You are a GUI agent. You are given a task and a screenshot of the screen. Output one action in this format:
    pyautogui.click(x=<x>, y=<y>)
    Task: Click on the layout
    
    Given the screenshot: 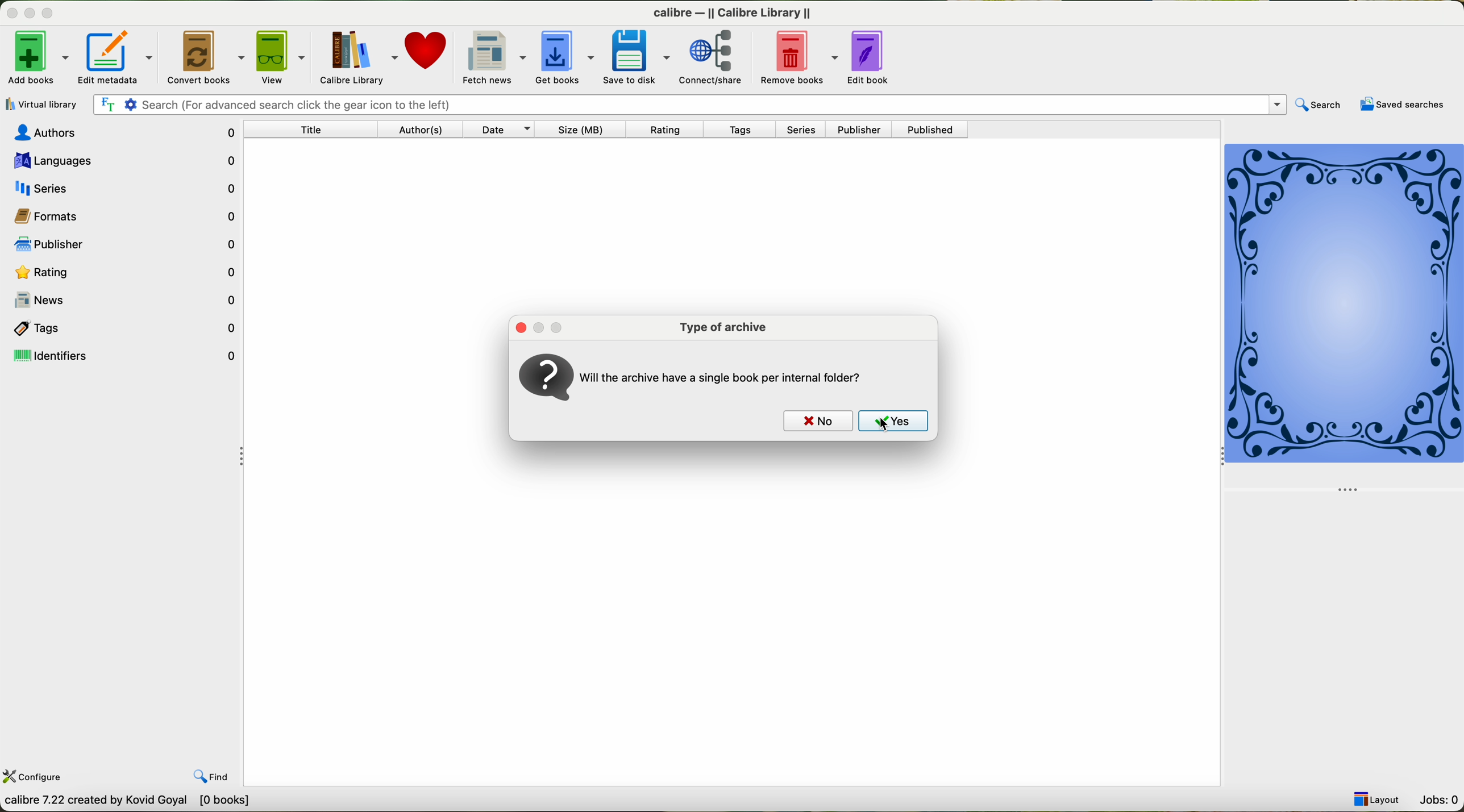 What is the action you would take?
    pyautogui.click(x=1377, y=799)
    